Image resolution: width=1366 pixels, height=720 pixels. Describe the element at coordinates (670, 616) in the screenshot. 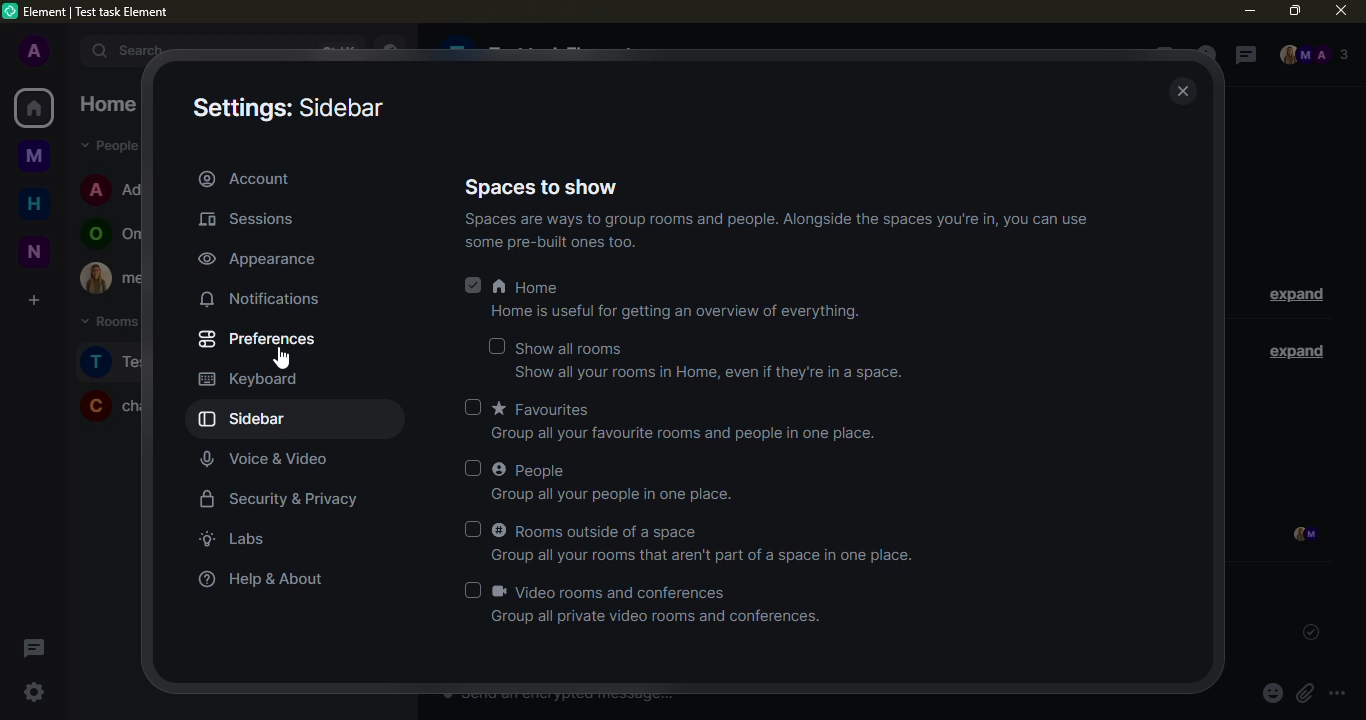

I see `info` at that location.